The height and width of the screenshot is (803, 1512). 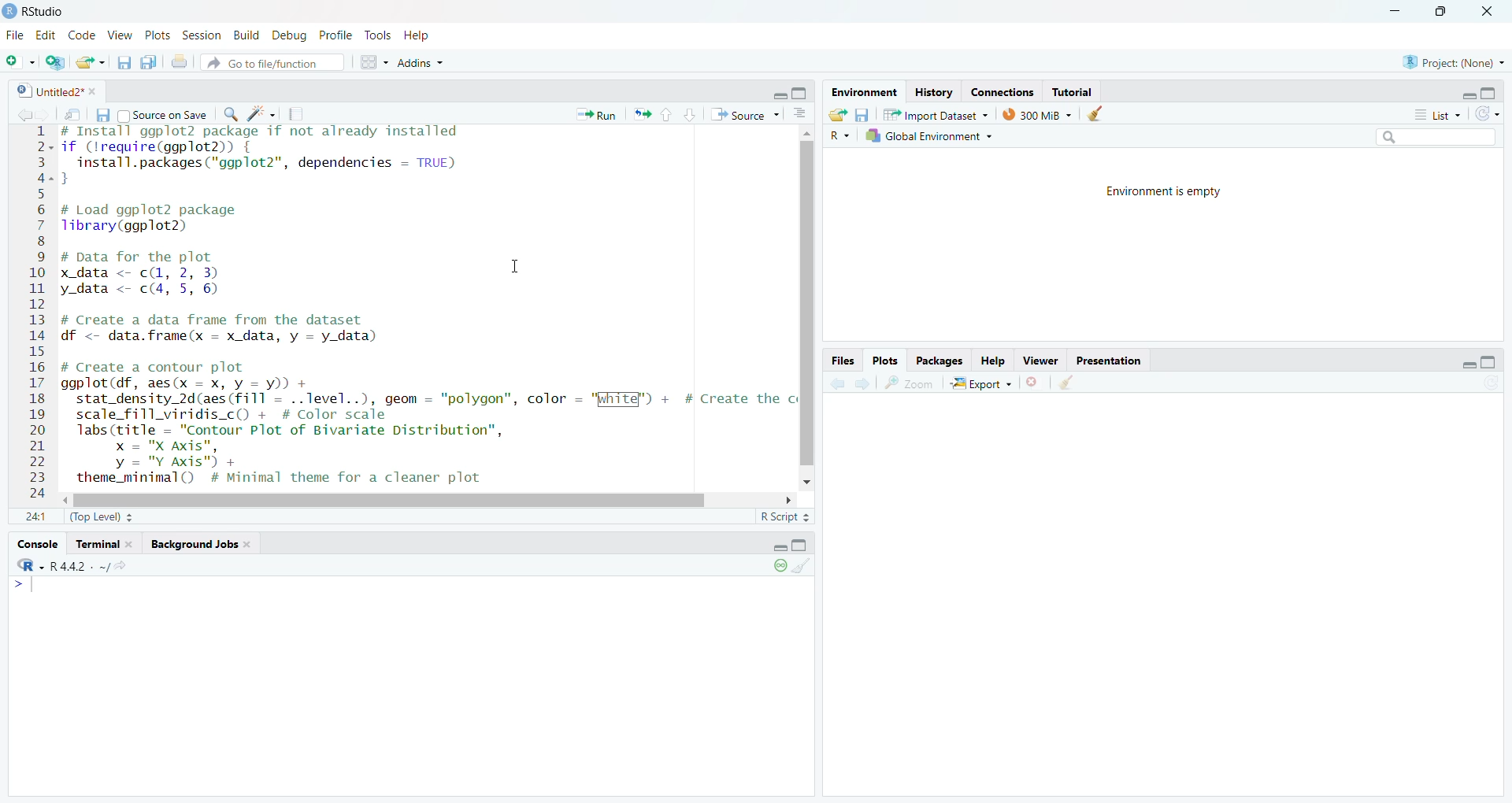 I want to click on  Global Environment , so click(x=935, y=137).